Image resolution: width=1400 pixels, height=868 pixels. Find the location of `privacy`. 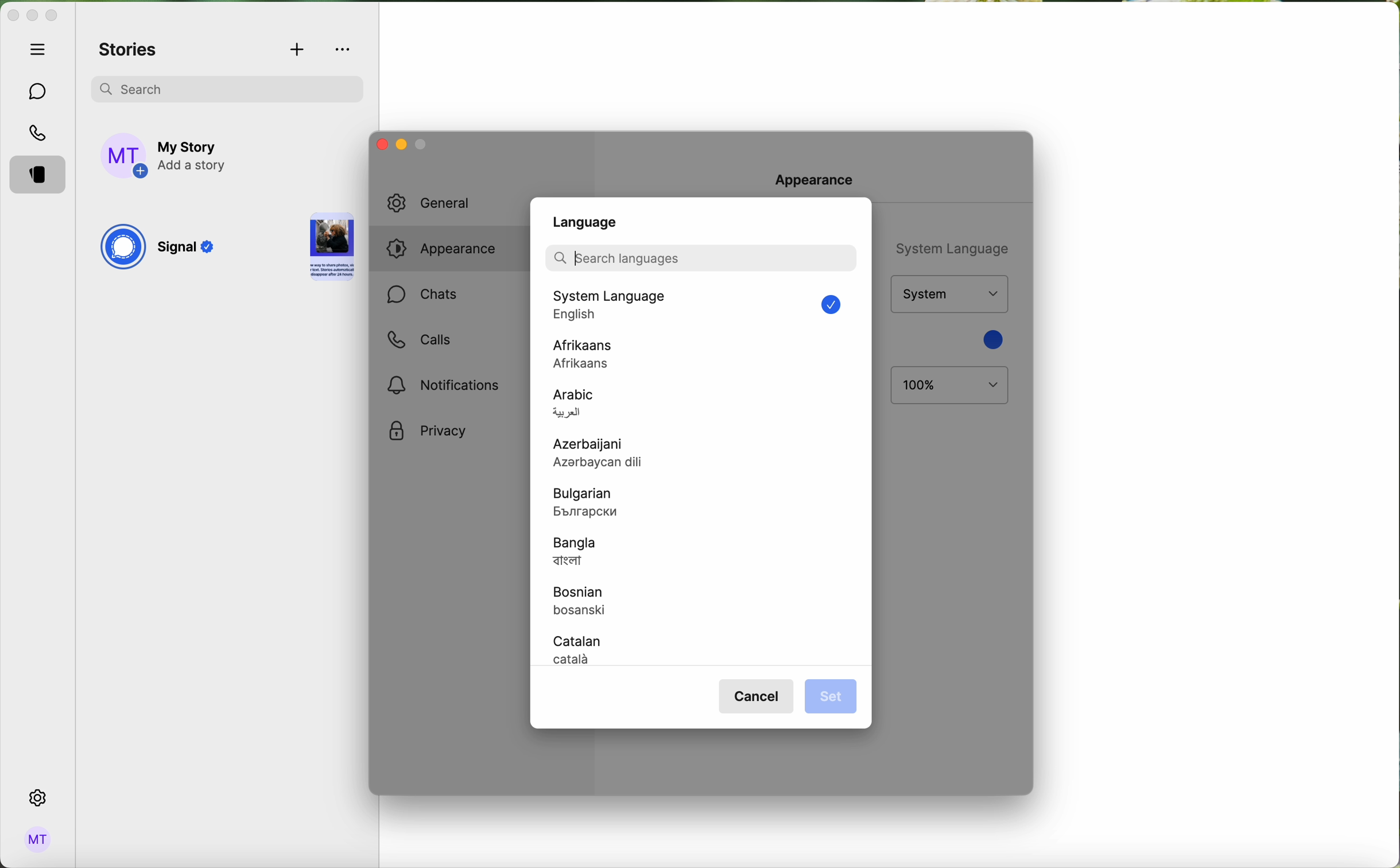

privacy is located at coordinates (428, 432).